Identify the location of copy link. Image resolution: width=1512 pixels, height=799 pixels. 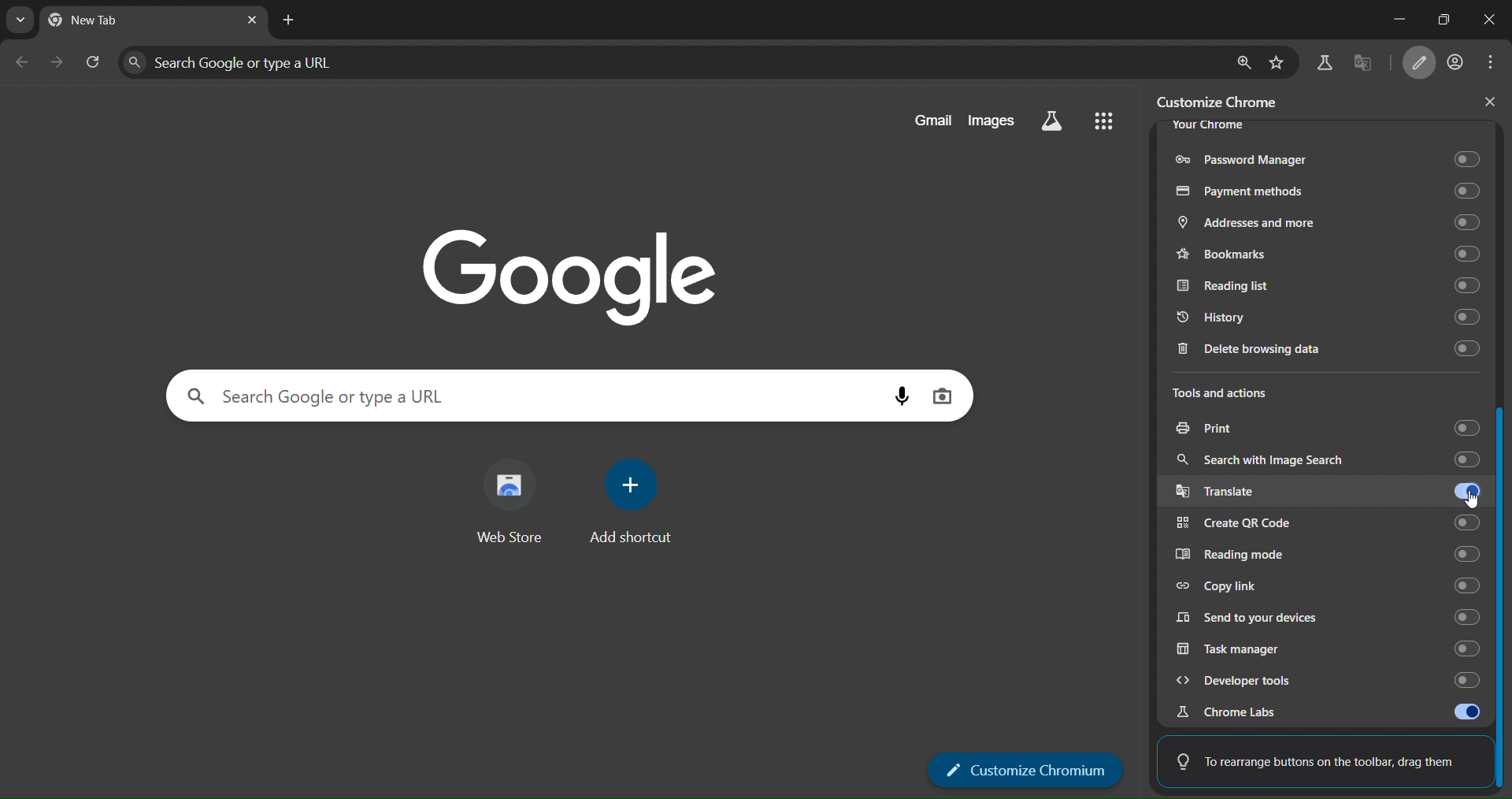
(1329, 588).